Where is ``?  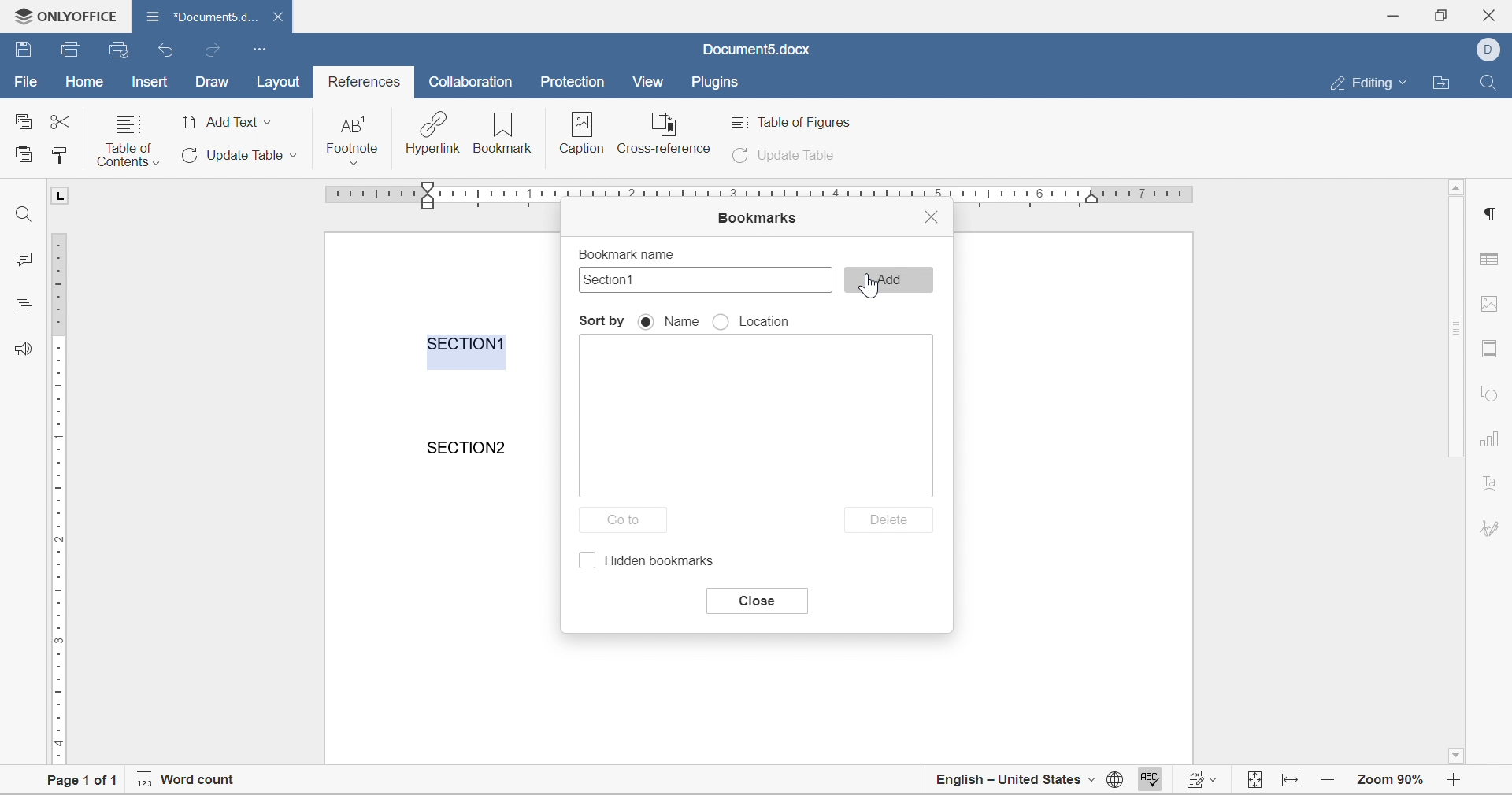
 is located at coordinates (1488, 213).